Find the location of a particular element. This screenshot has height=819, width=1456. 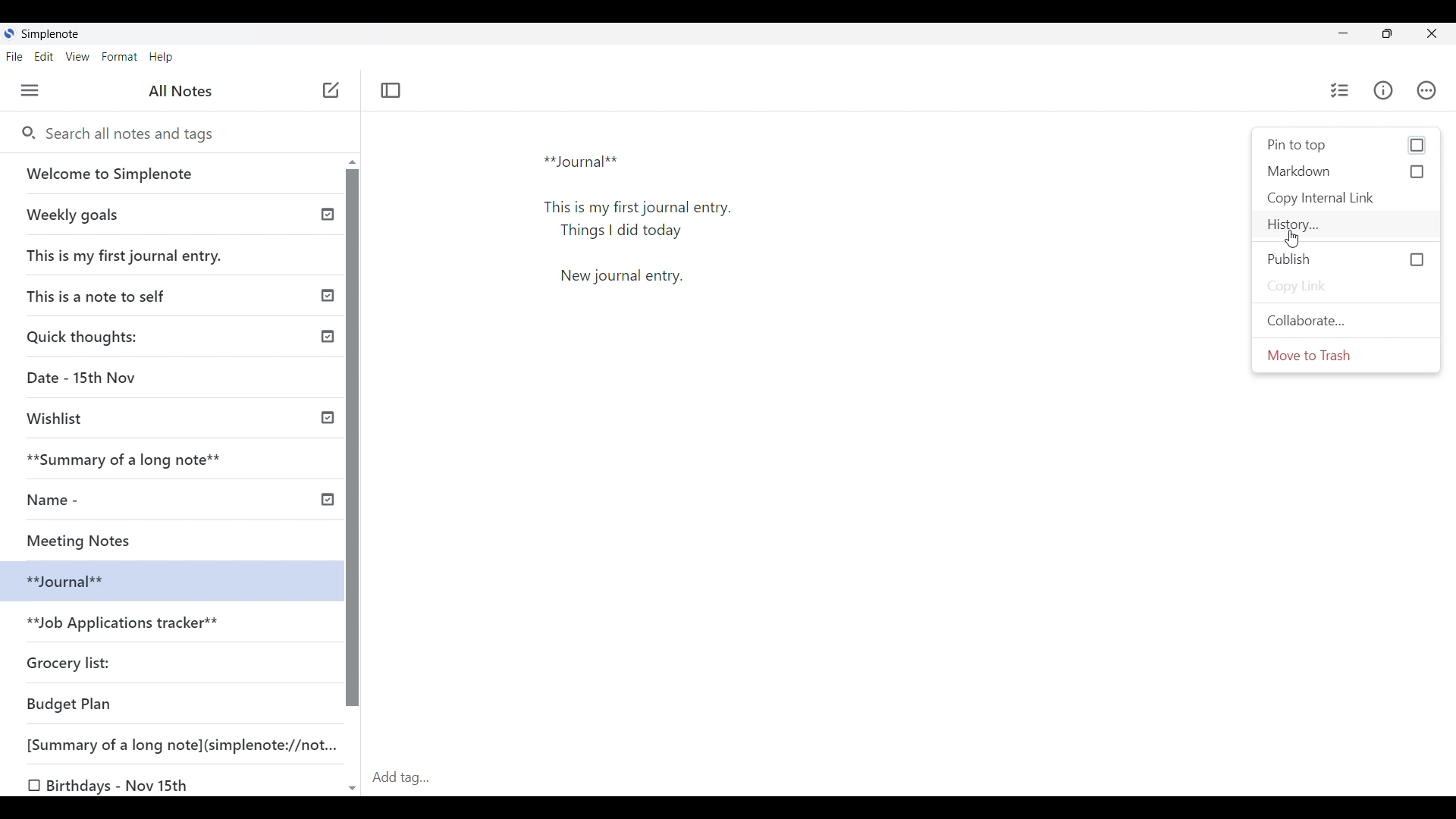

Click to publish is located at coordinates (1345, 259).